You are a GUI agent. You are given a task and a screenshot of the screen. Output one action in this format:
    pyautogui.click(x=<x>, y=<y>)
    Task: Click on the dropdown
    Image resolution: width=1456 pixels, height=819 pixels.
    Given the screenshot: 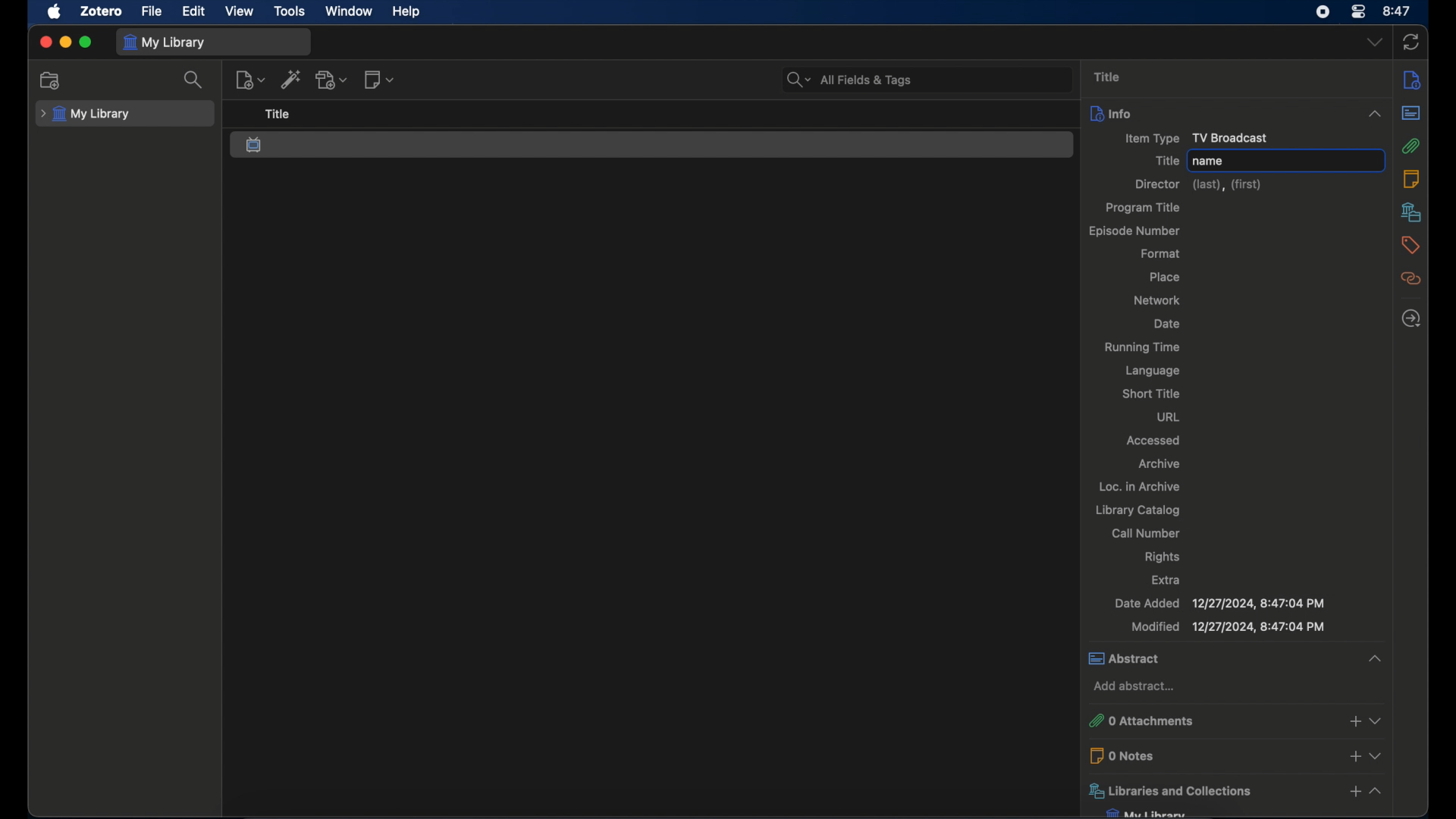 What is the action you would take?
    pyautogui.click(x=1376, y=720)
    